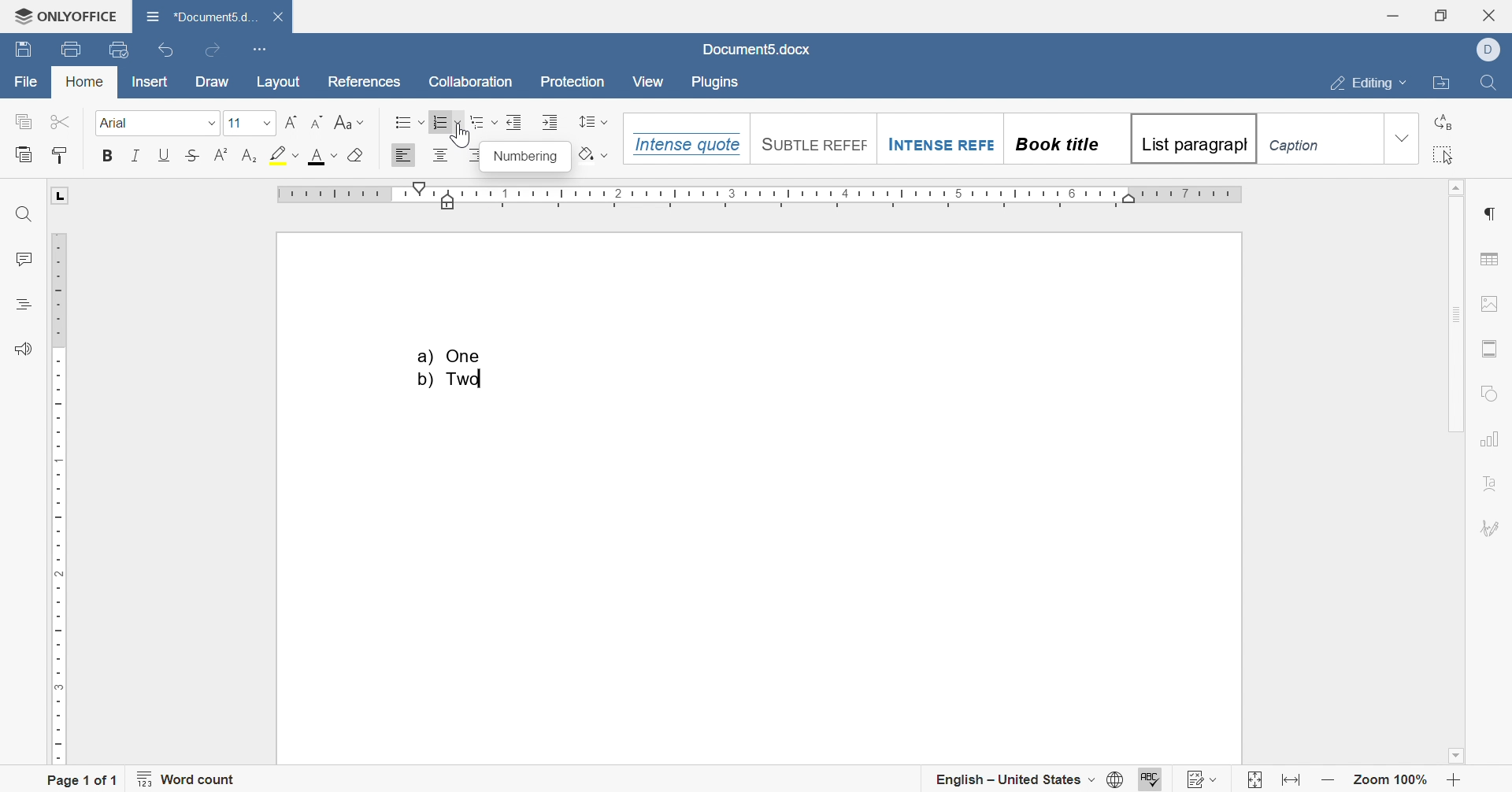 This screenshot has height=792, width=1512. I want to click on bullets, so click(409, 121).